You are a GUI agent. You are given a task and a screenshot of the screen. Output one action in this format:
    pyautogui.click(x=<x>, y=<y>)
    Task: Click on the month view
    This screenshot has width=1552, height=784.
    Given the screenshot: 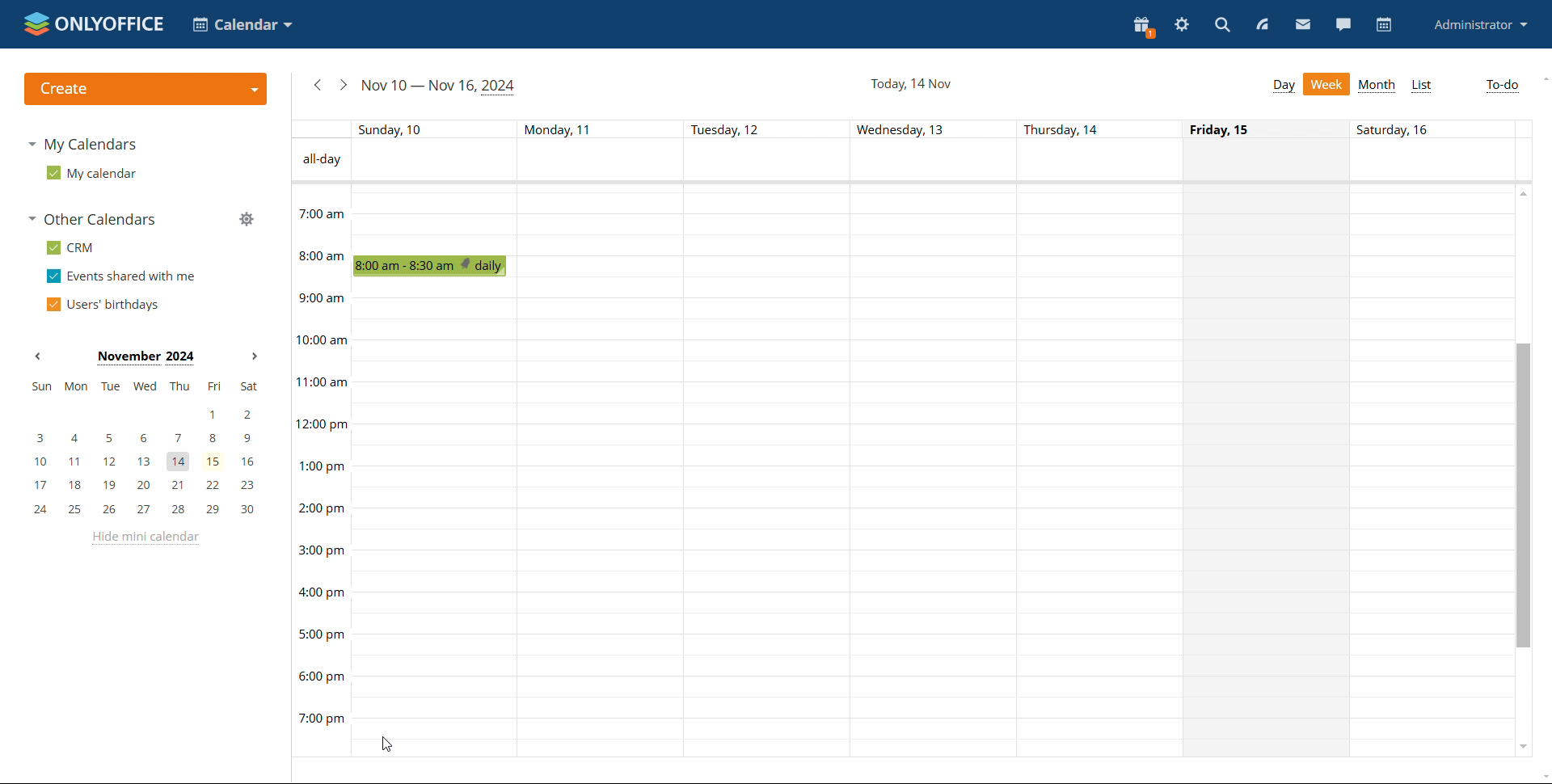 What is the action you would take?
    pyautogui.click(x=1376, y=86)
    